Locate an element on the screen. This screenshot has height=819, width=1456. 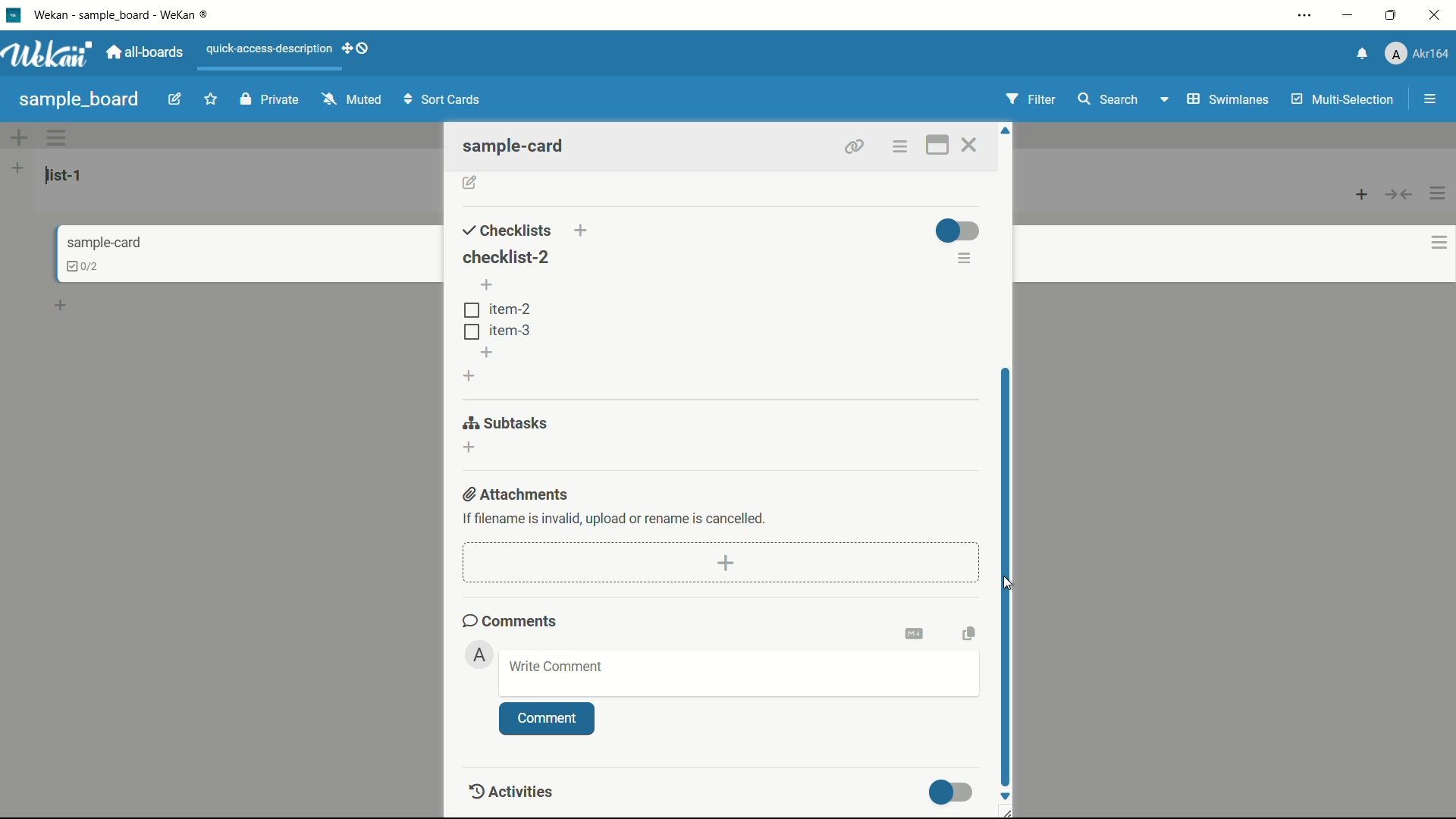
comments is located at coordinates (510, 621).